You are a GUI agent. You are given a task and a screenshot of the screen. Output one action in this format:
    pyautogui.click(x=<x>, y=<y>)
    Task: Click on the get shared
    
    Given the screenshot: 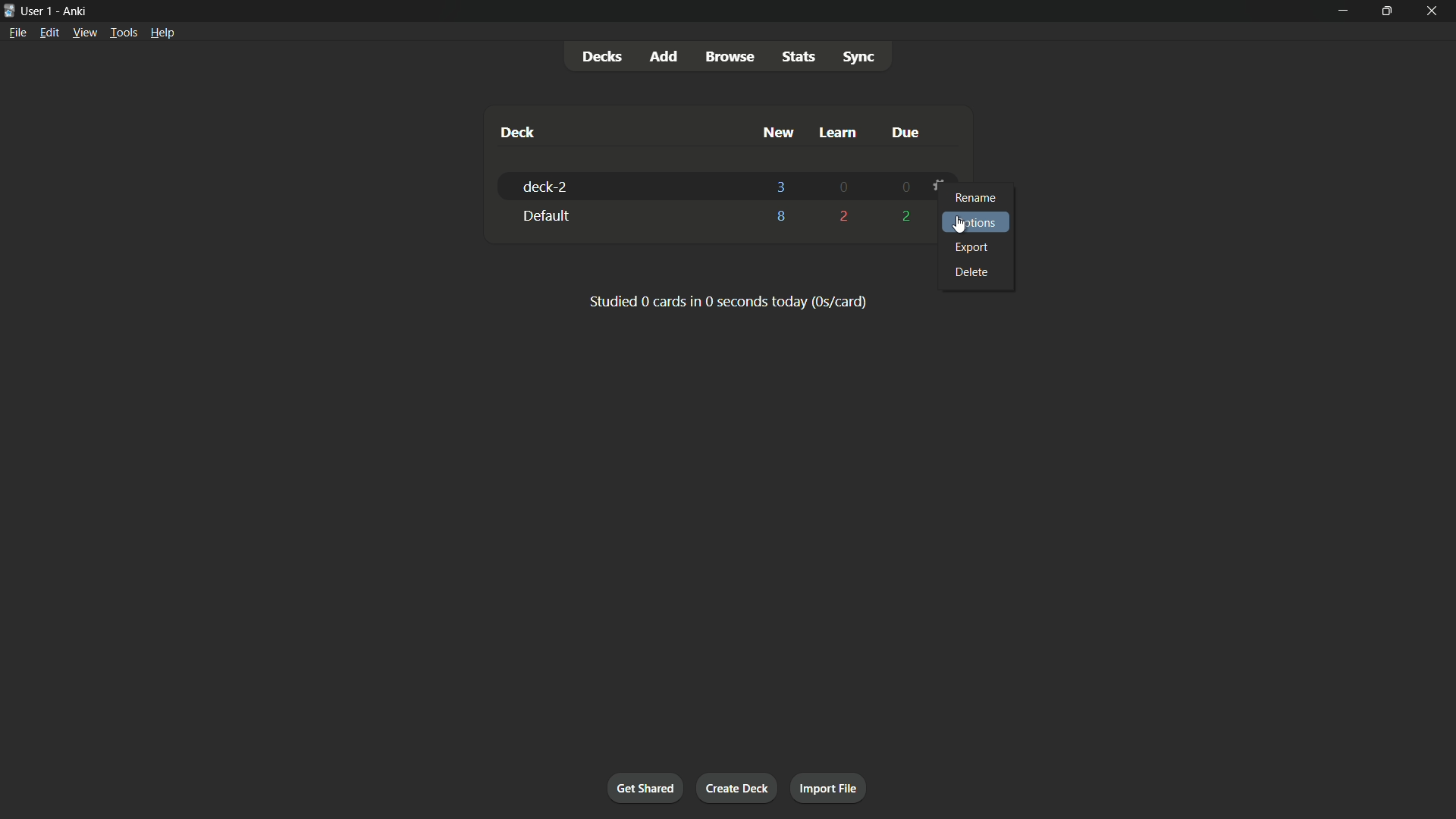 What is the action you would take?
    pyautogui.click(x=648, y=787)
    